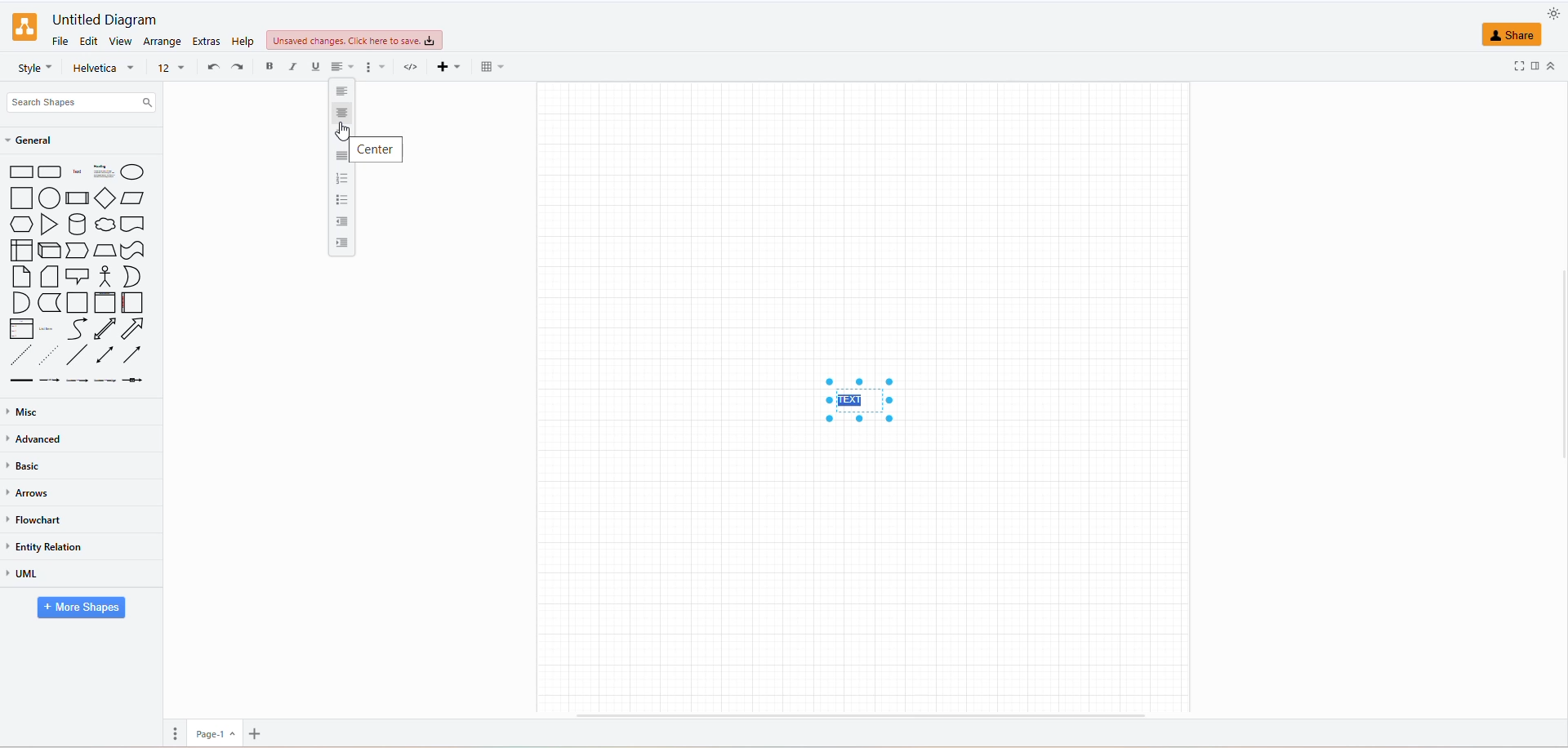 The height and width of the screenshot is (748, 1568). What do you see at coordinates (34, 439) in the screenshot?
I see `advanced` at bounding box center [34, 439].